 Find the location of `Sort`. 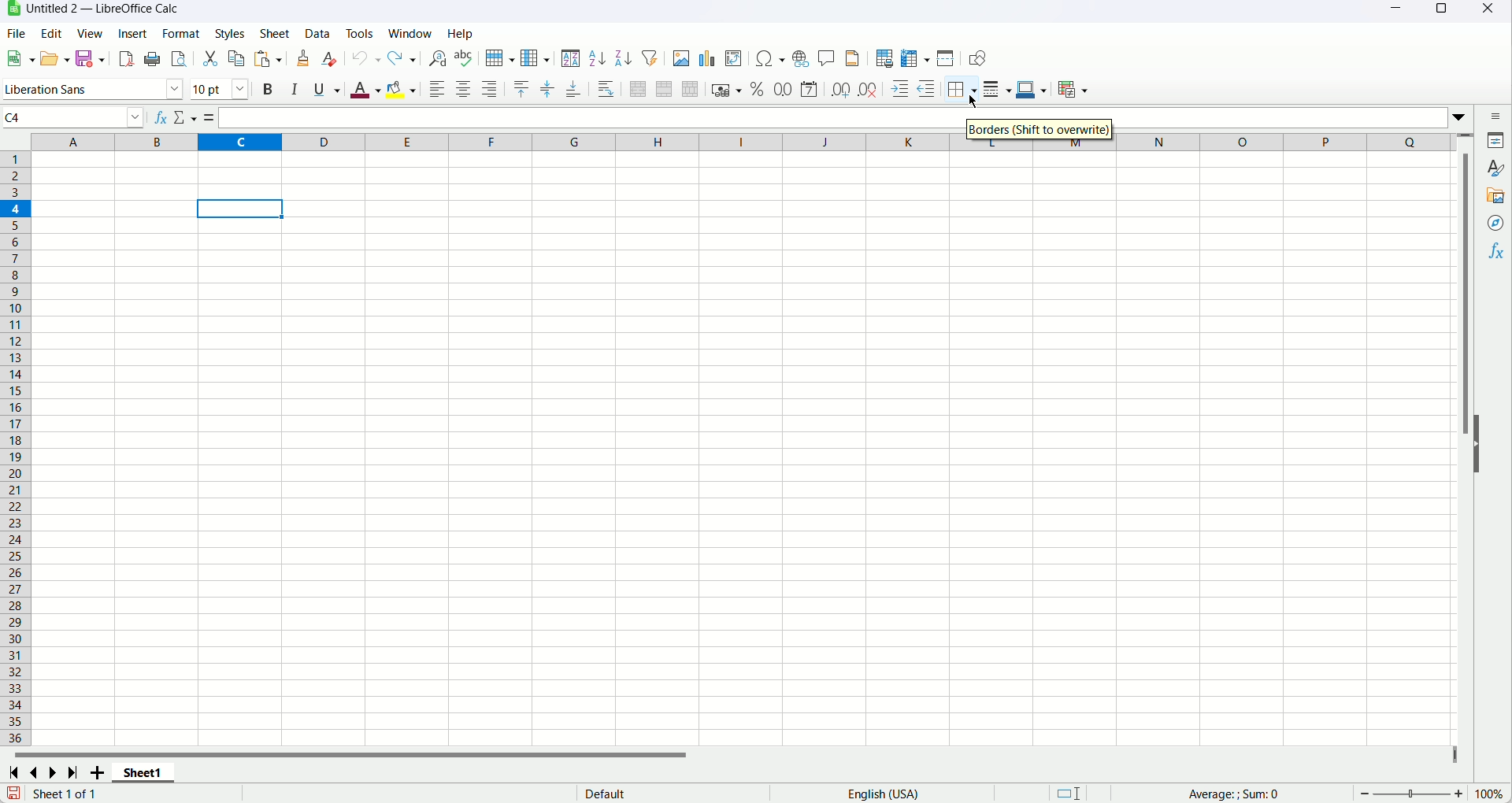

Sort is located at coordinates (571, 58).